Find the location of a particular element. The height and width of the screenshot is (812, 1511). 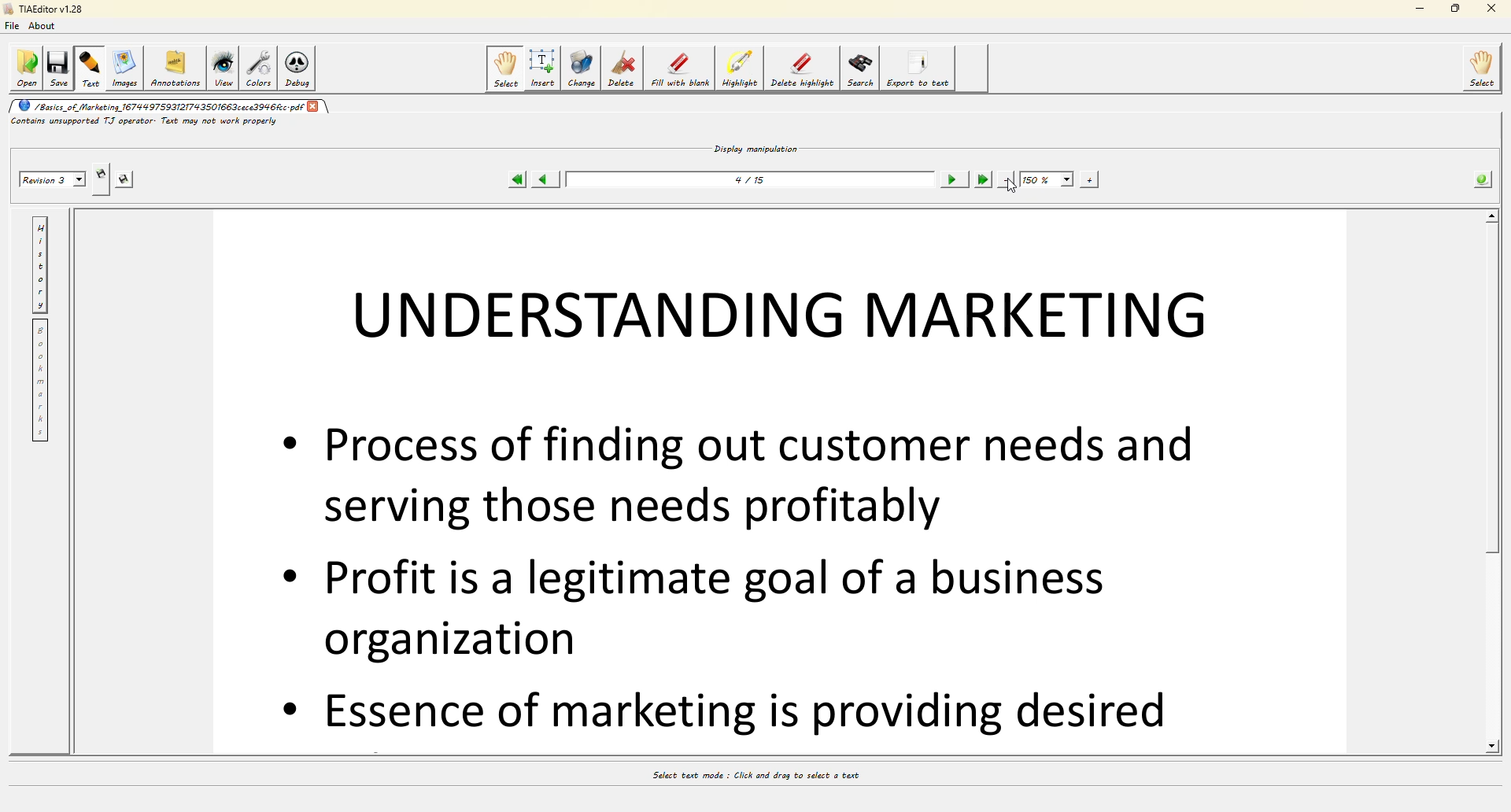

 is located at coordinates (682, 70).